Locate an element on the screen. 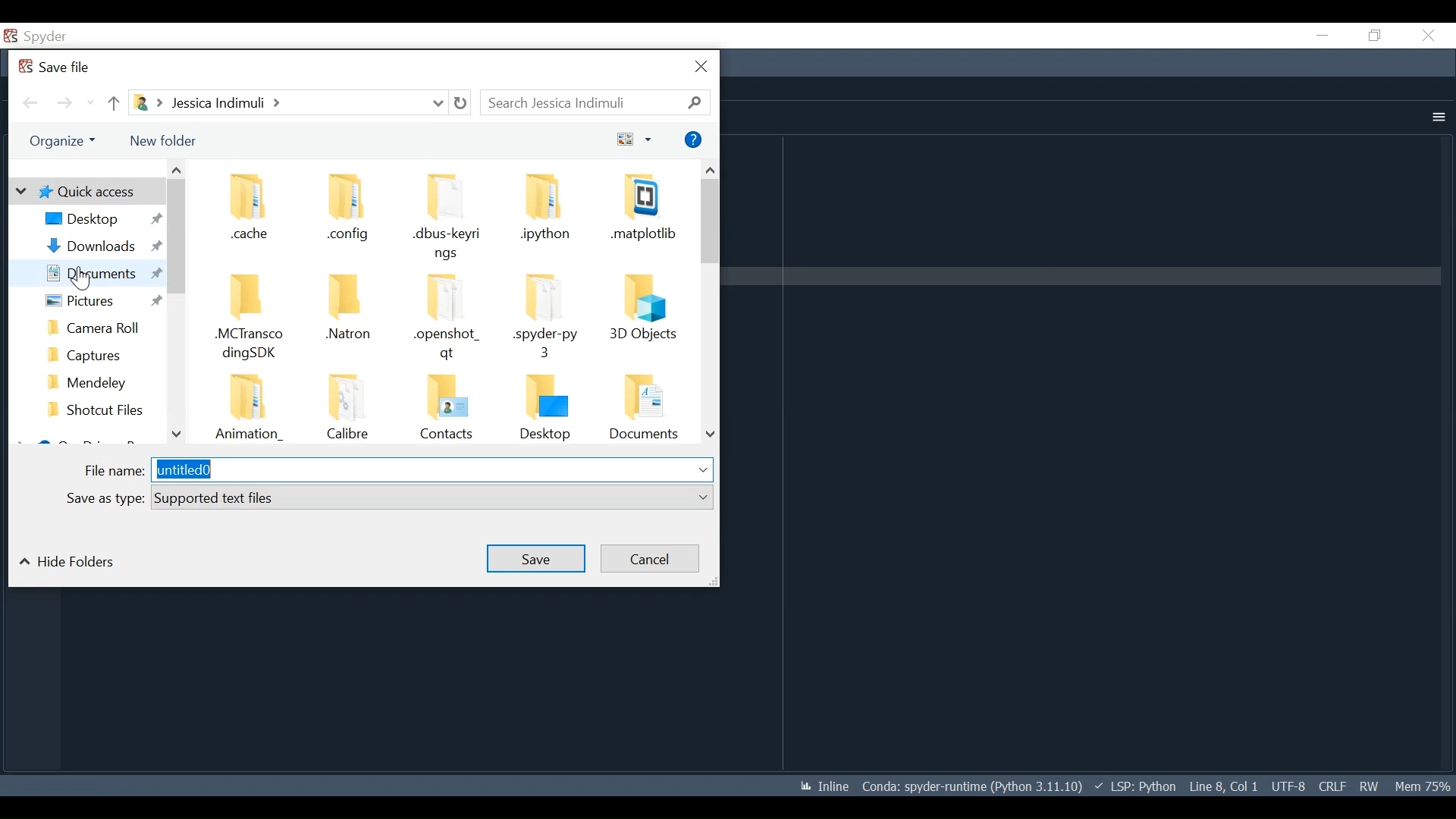 This screenshot has width=1456, height=819. Minimize is located at coordinates (1321, 35).